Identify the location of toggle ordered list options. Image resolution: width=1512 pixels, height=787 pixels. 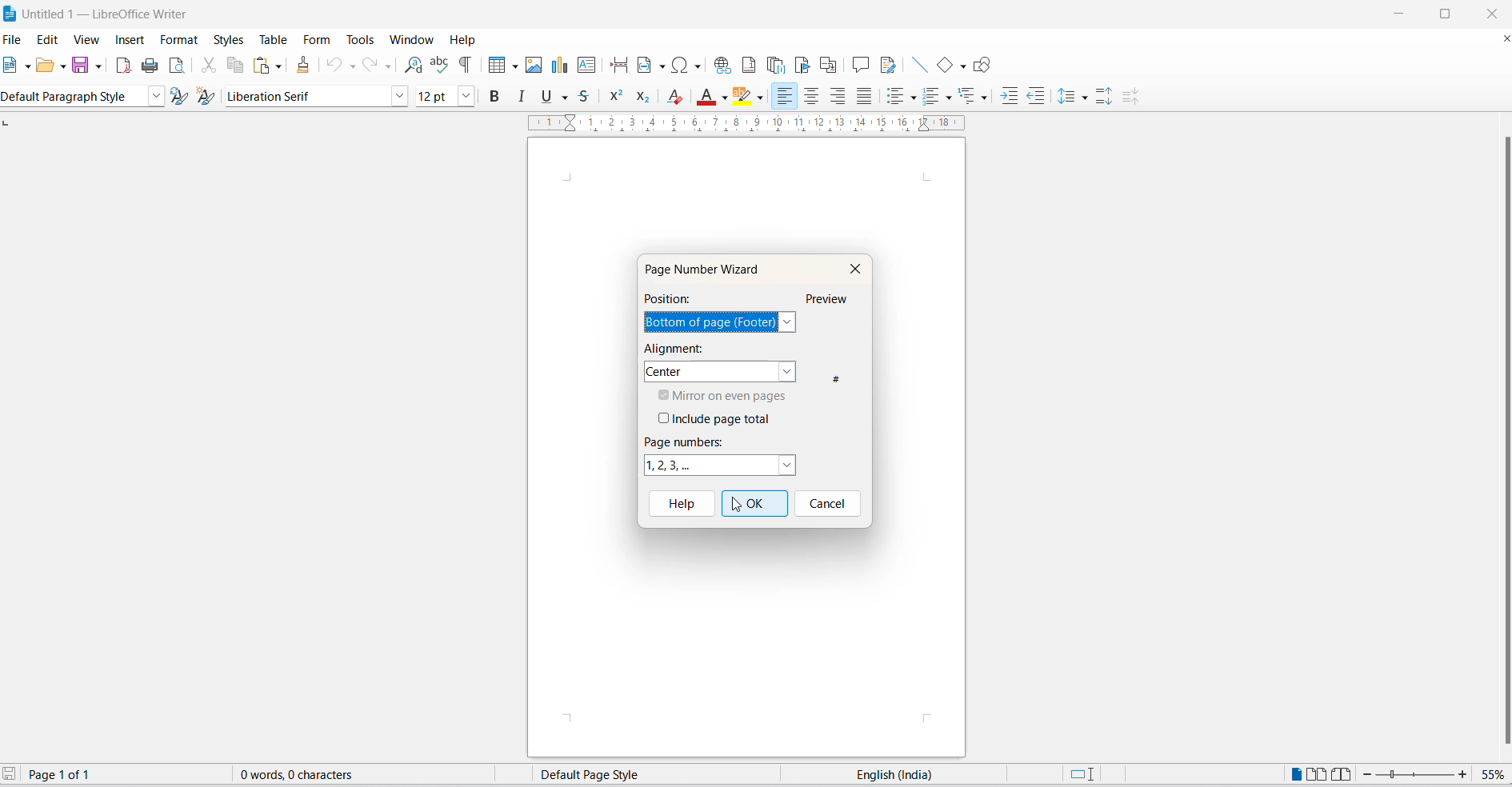
(948, 98).